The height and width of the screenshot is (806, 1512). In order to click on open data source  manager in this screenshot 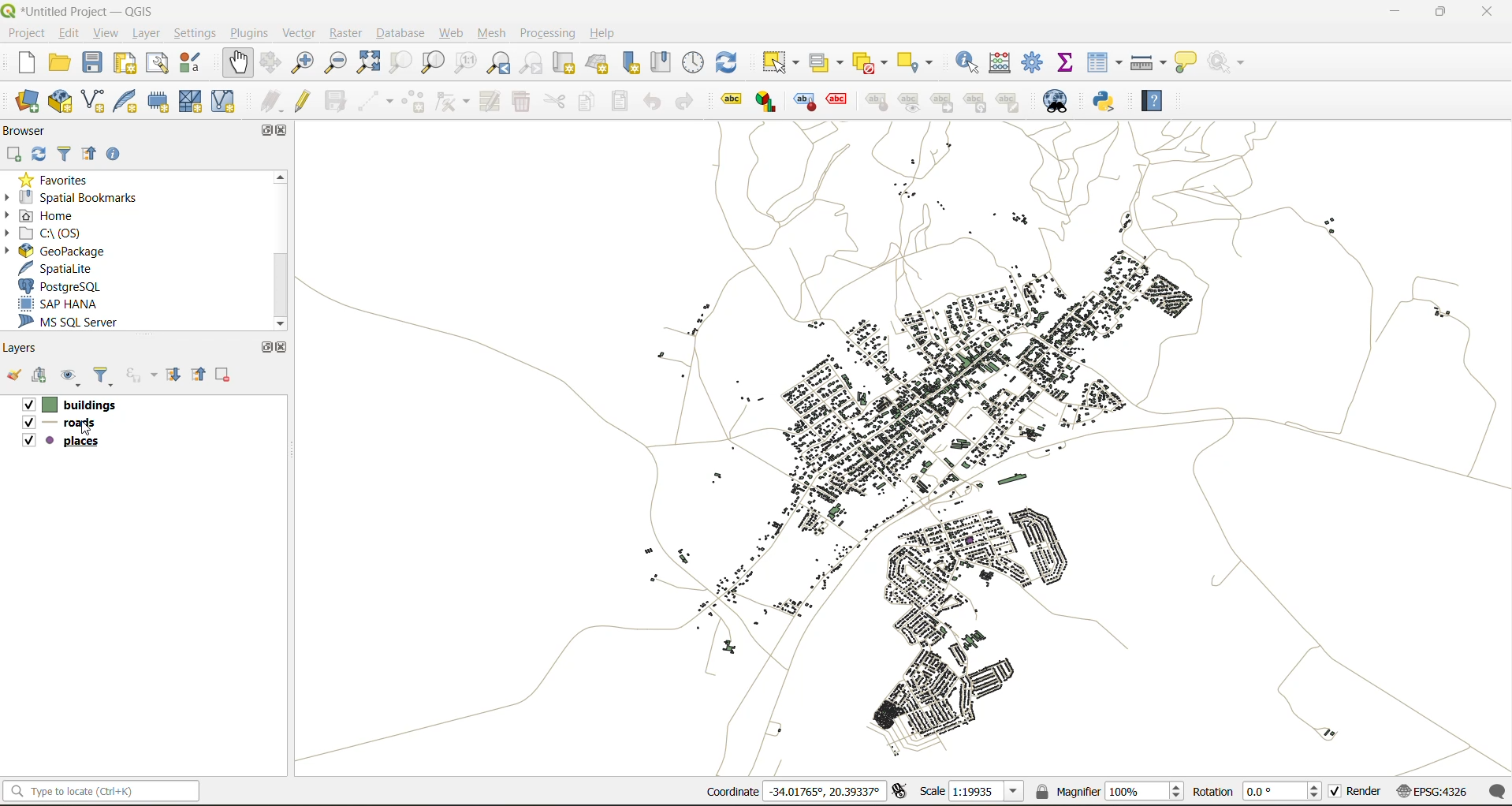, I will do `click(22, 101)`.